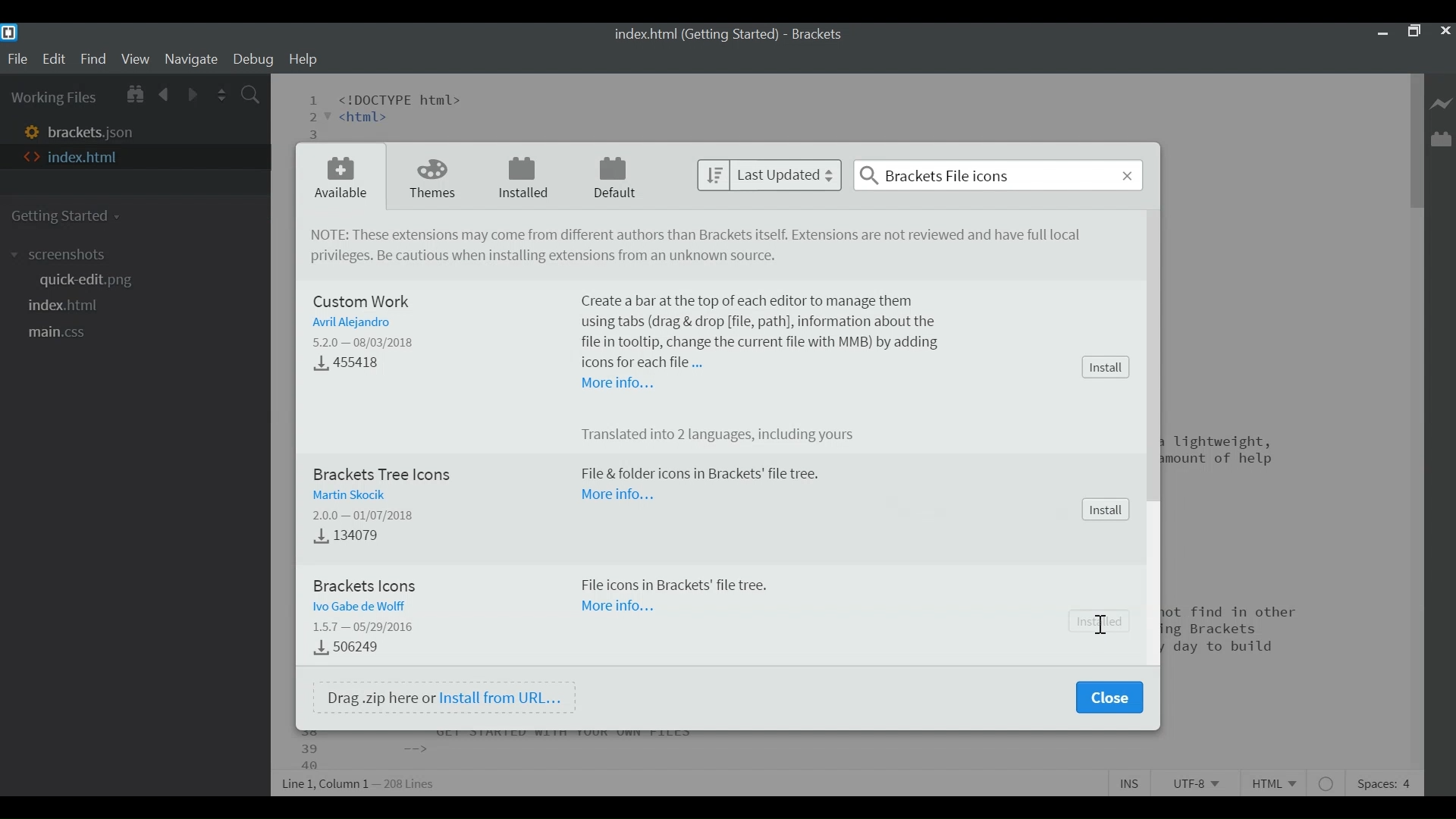  I want to click on main.css, so click(66, 334).